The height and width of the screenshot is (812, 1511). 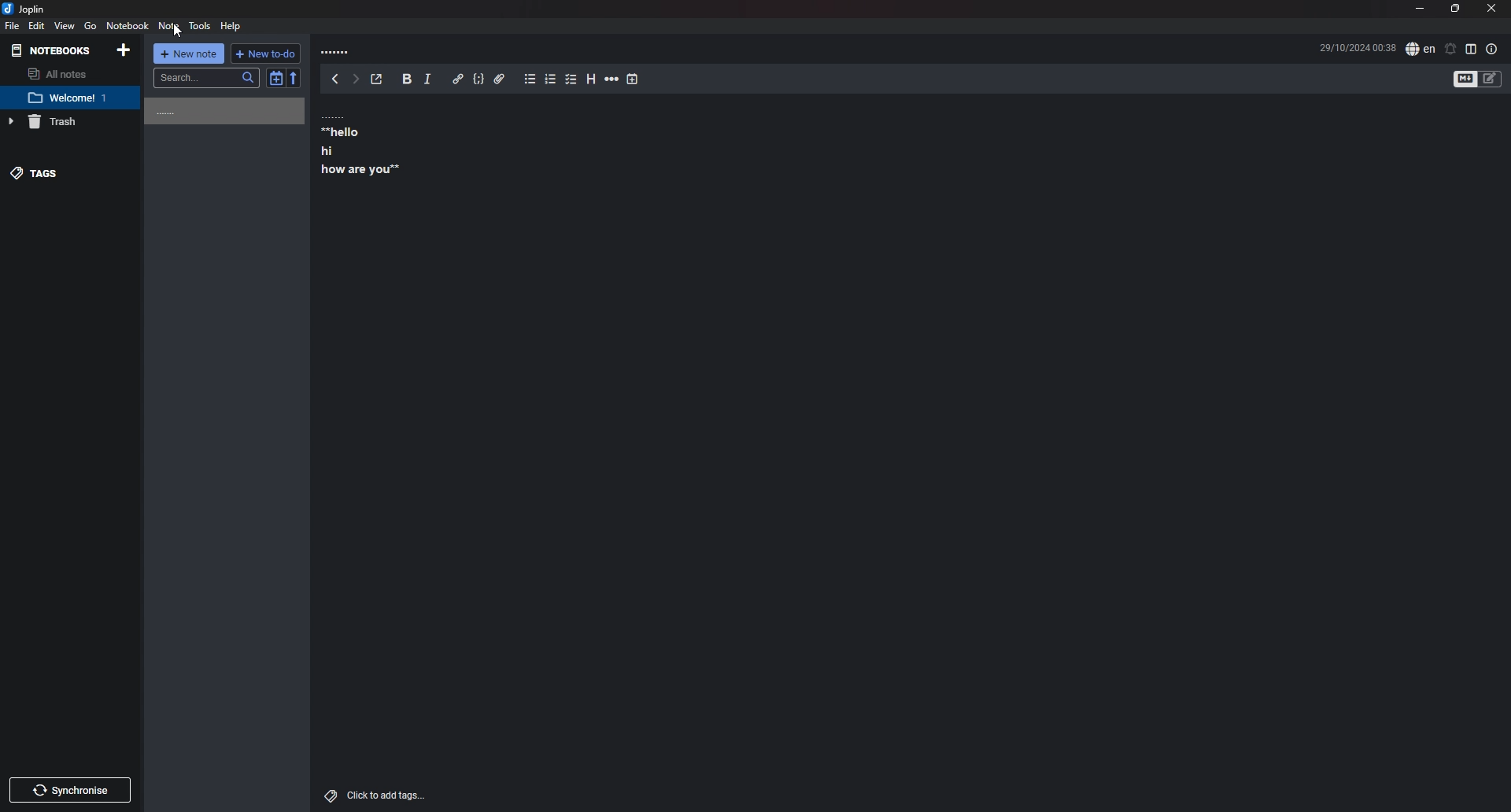 What do you see at coordinates (61, 123) in the screenshot?
I see `Trash` at bounding box center [61, 123].